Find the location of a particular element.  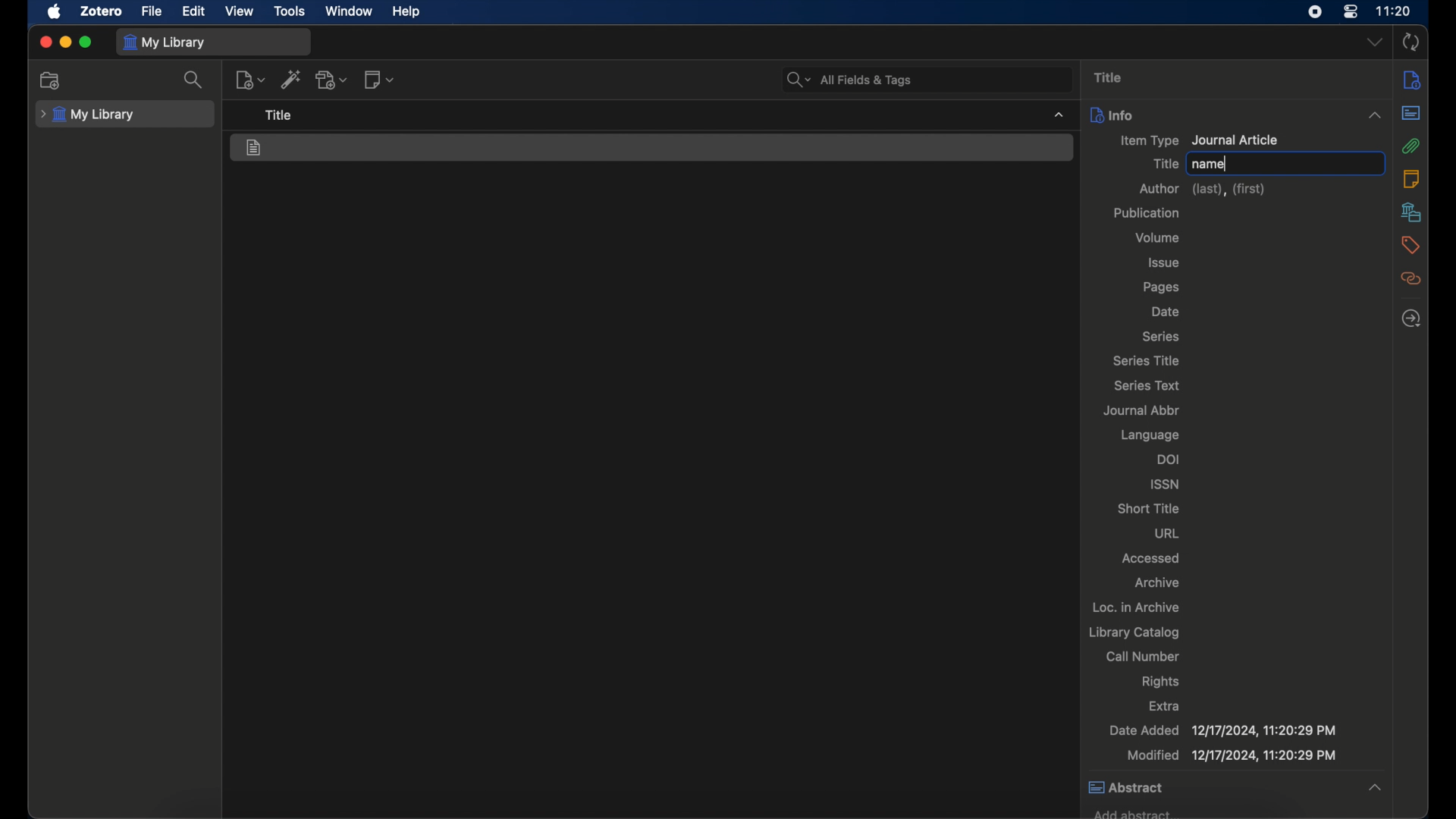

notes is located at coordinates (1410, 178).